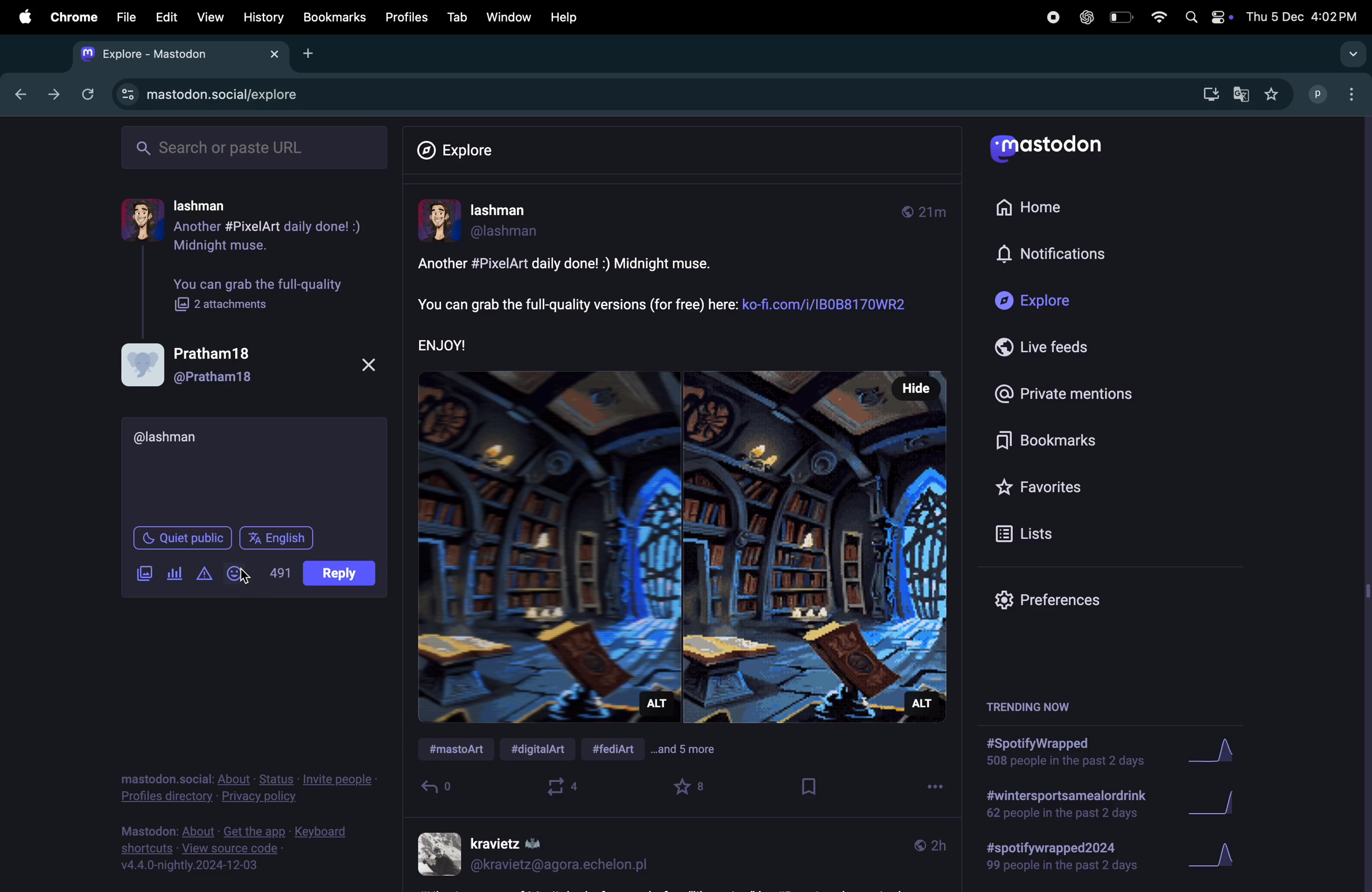 The image size is (1372, 892). Describe the element at coordinates (1351, 56) in the screenshot. I see `drop down` at that location.